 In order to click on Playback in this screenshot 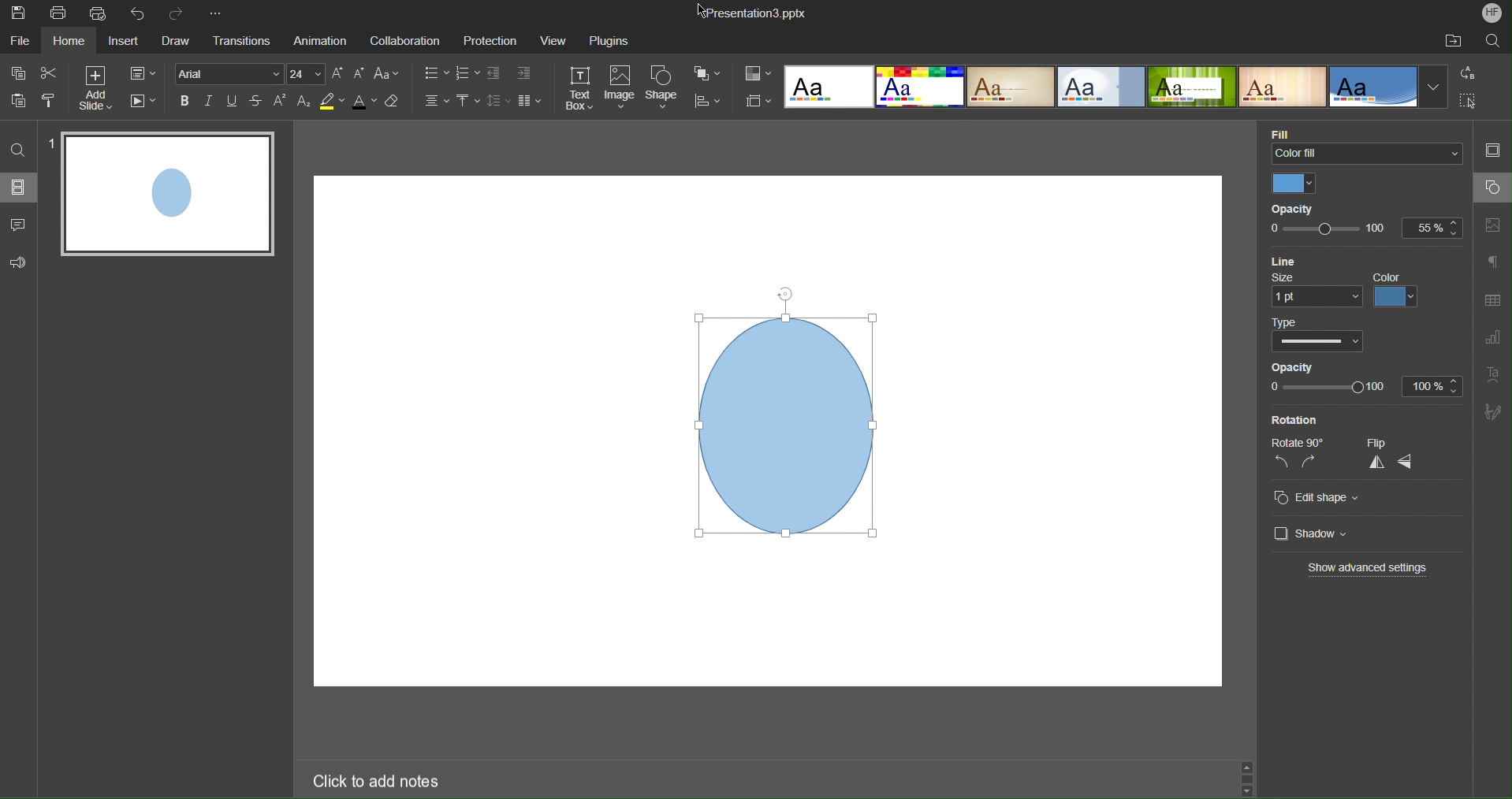, I will do `click(143, 102)`.